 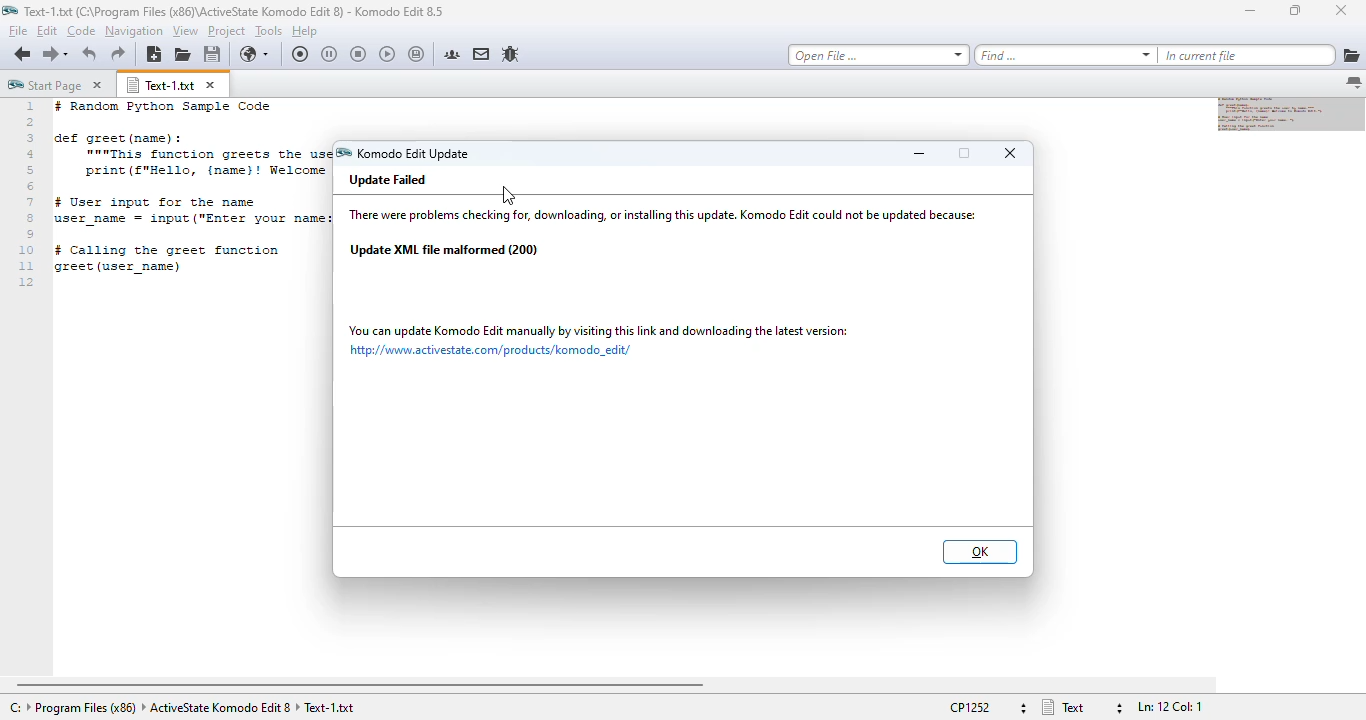 What do you see at coordinates (358, 54) in the screenshot?
I see `stop recording macro` at bounding box center [358, 54].